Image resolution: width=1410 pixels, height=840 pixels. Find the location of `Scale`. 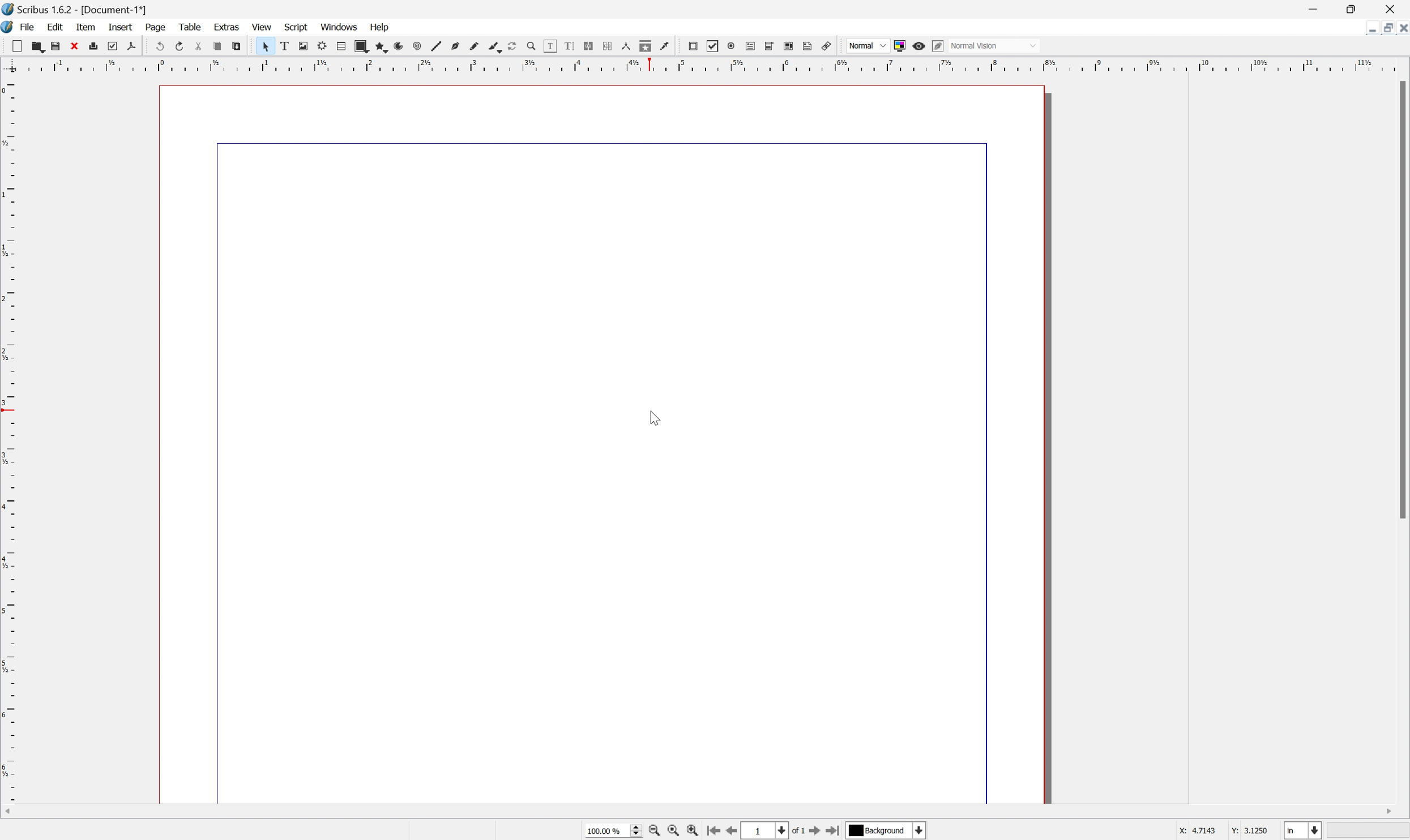

Scale is located at coordinates (707, 64).